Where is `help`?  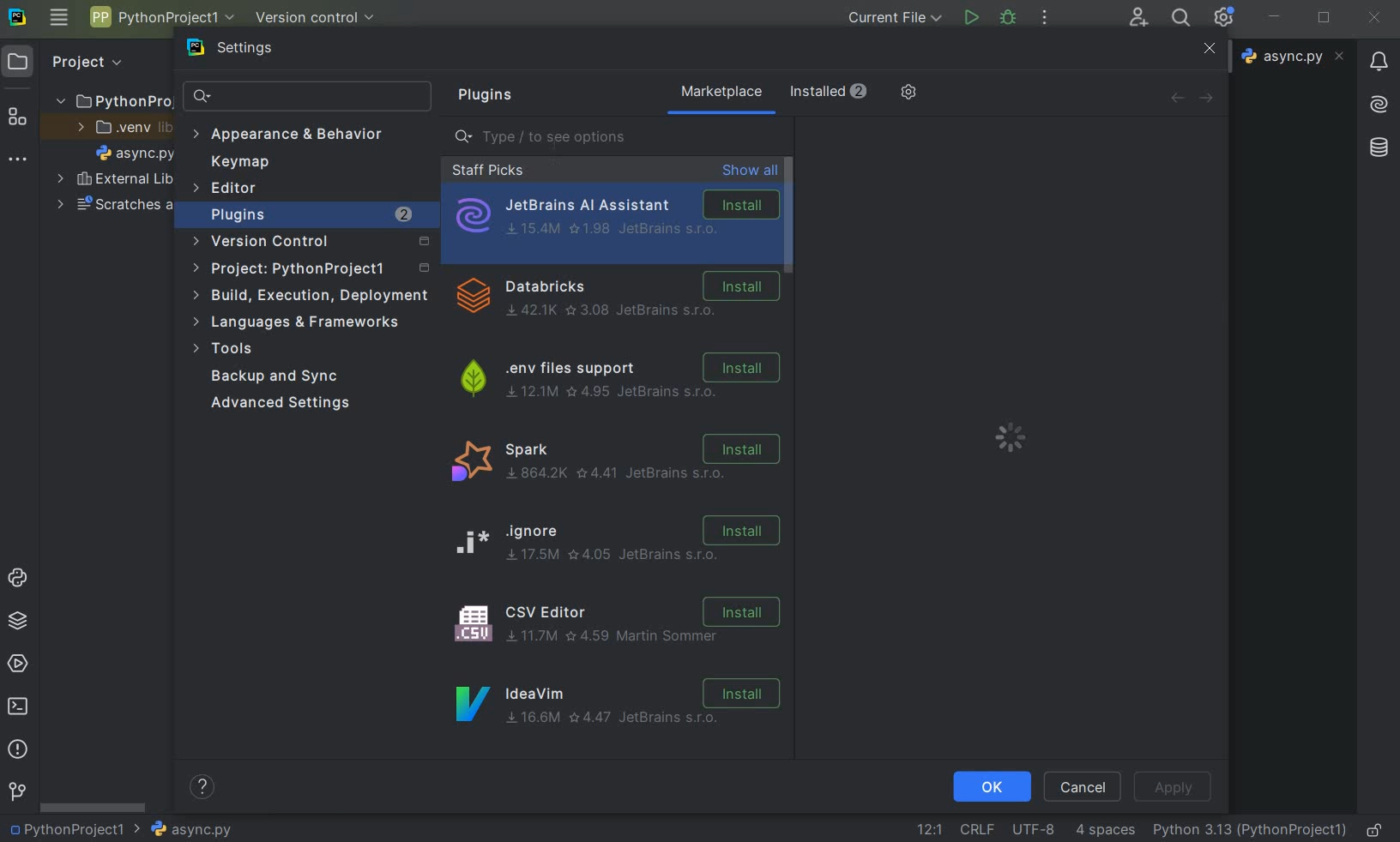 help is located at coordinates (204, 789).